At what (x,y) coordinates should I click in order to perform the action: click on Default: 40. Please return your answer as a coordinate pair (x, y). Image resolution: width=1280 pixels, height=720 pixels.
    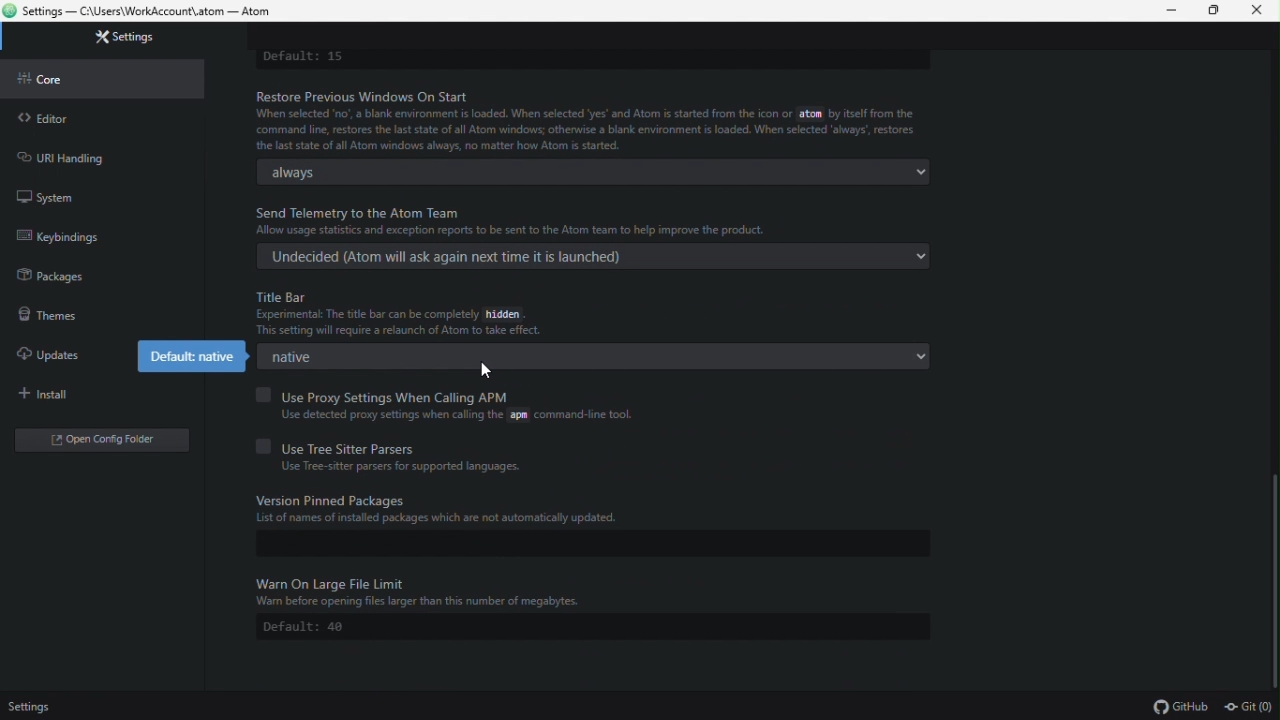
    Looking at the image, I should click on (308, 625).